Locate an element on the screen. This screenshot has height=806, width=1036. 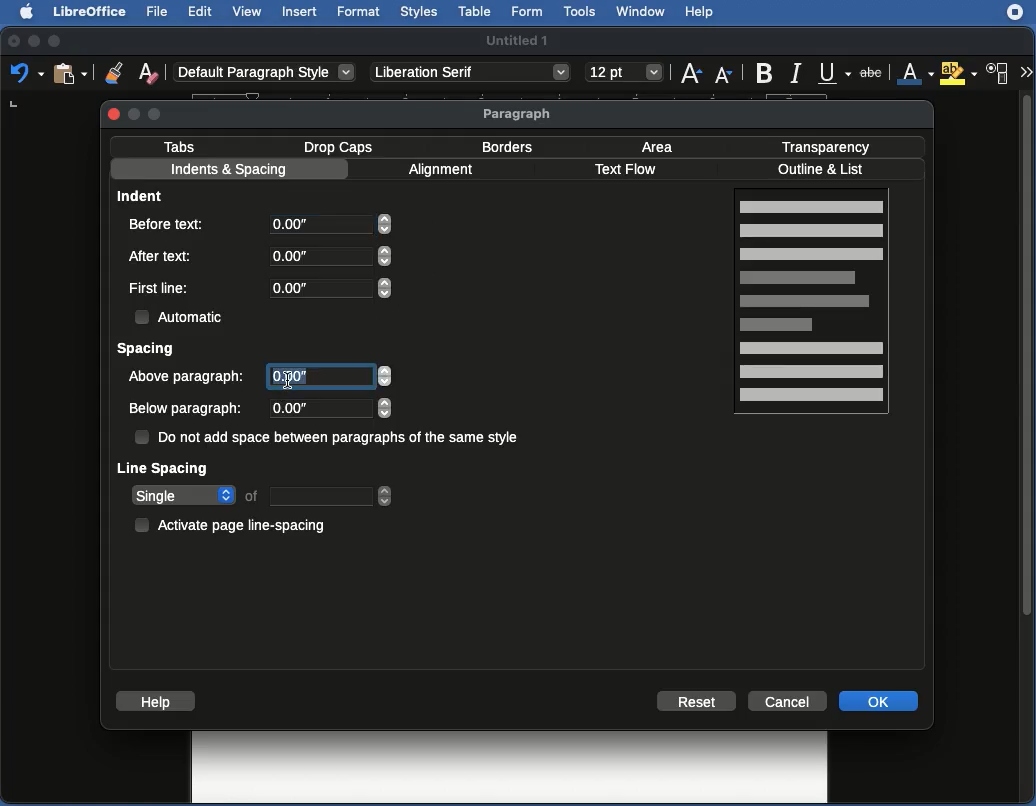
Outline and list is located at coordinates (824, 170).